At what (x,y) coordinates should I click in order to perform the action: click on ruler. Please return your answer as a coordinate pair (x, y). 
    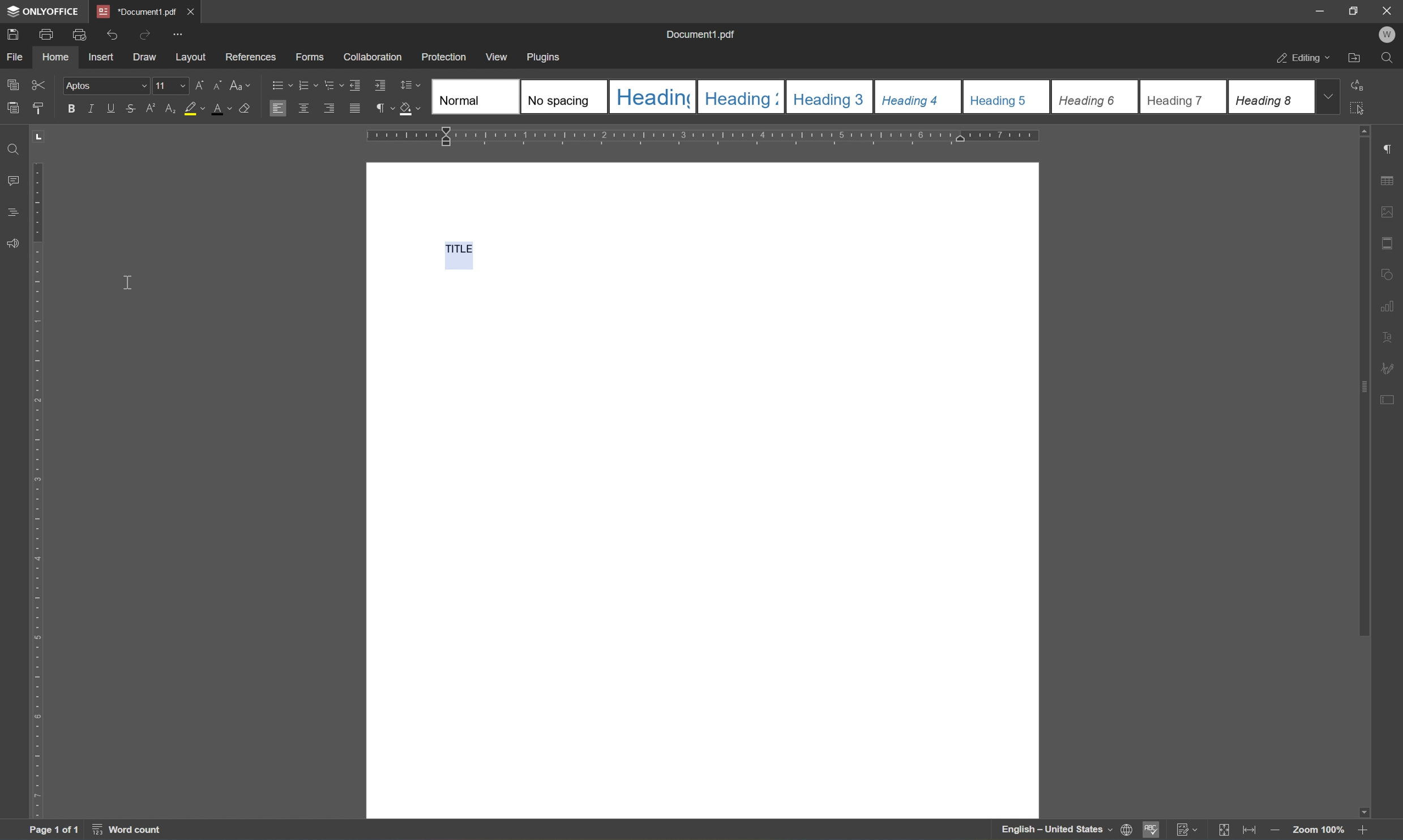
    Looking at the image, I should click on (701, 136).